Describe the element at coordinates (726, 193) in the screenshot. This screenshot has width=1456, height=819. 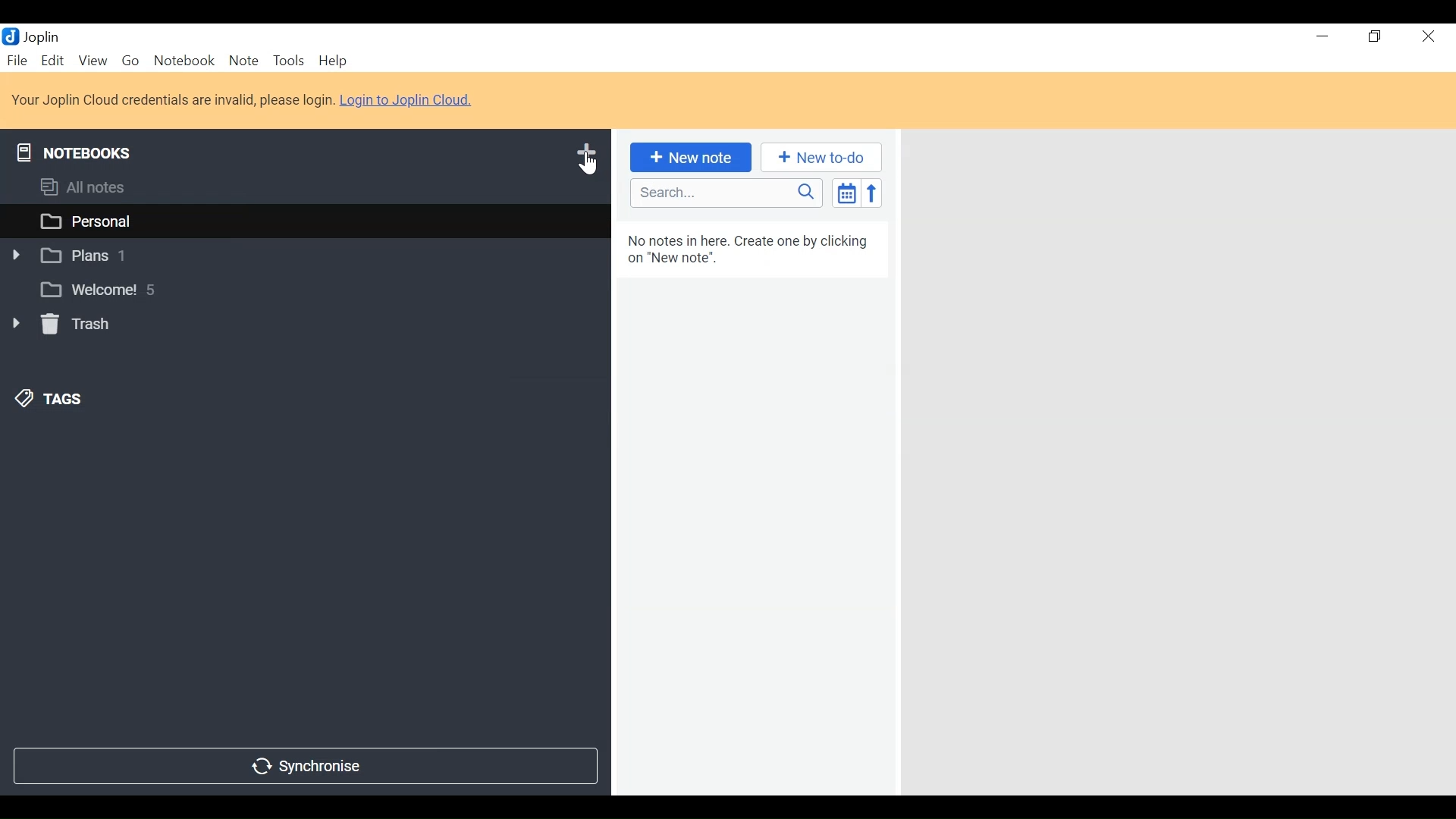
I see `Search` at that location.